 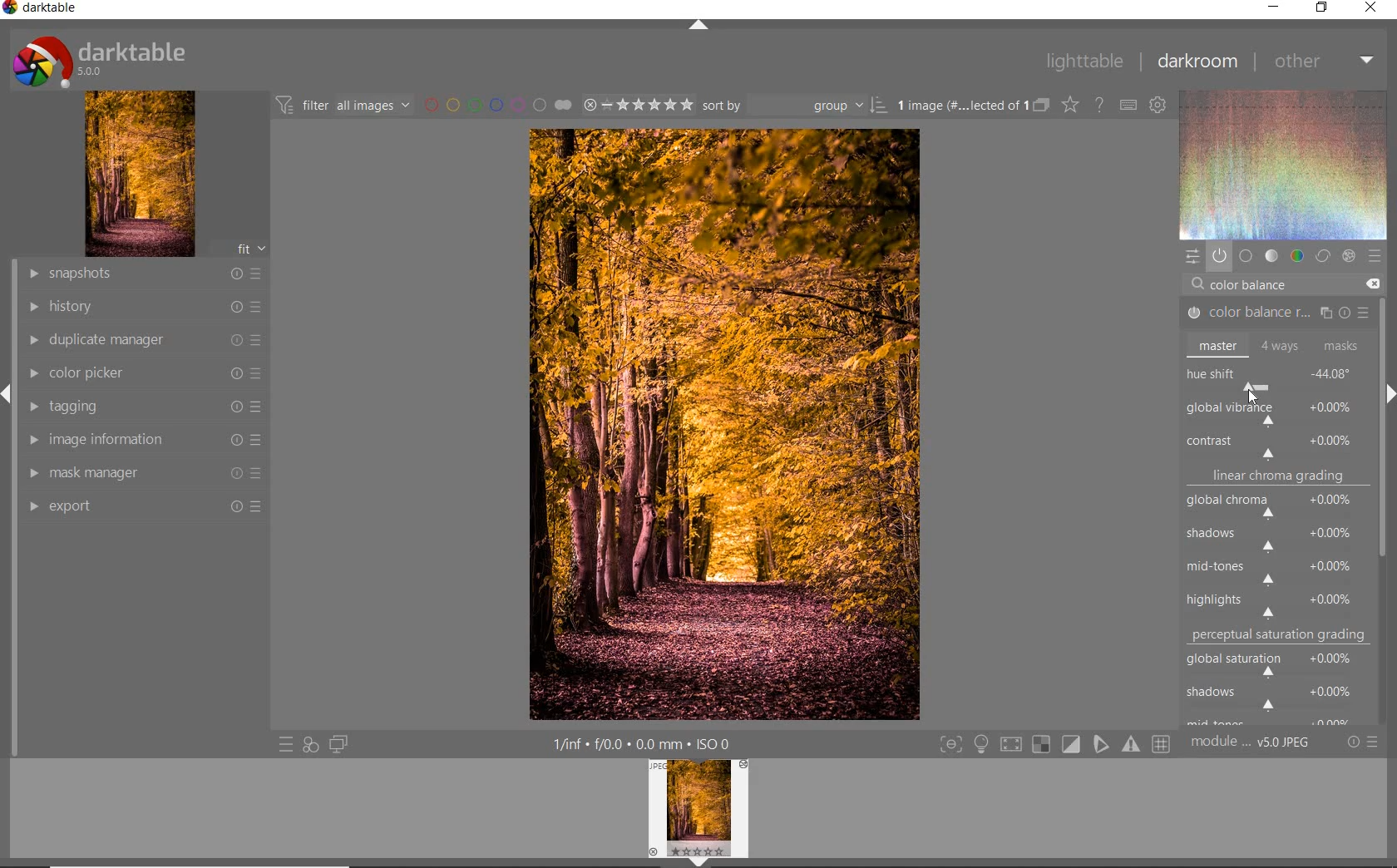 What do you see at coordinates (1281, 635) in the screenshot?
I see `perceptual saturation grading` at bounding box center [1281, 635].